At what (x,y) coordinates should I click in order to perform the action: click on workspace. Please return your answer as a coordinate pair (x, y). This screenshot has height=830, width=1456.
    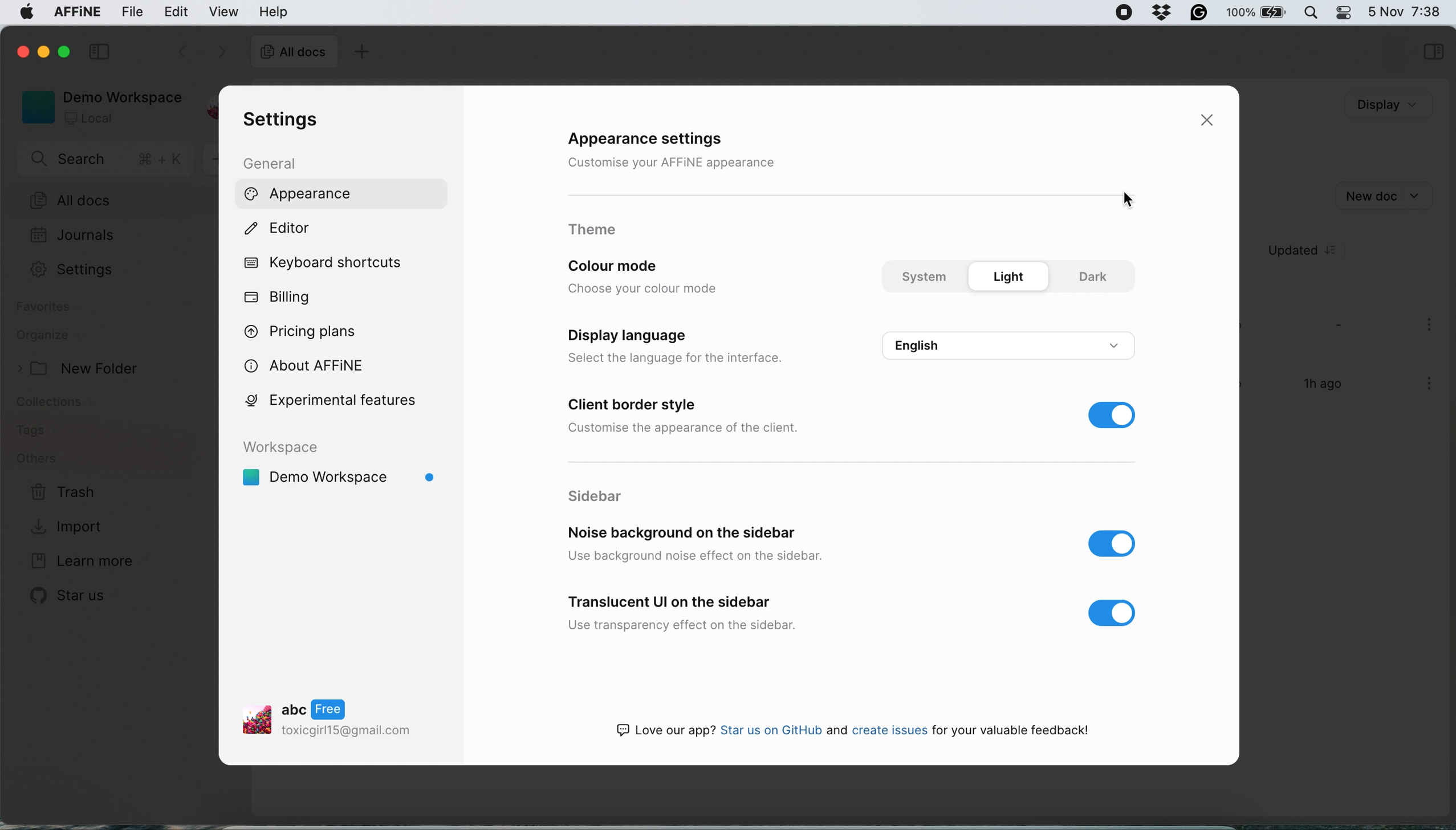
    Looking at the image, I should click on (100, 105).